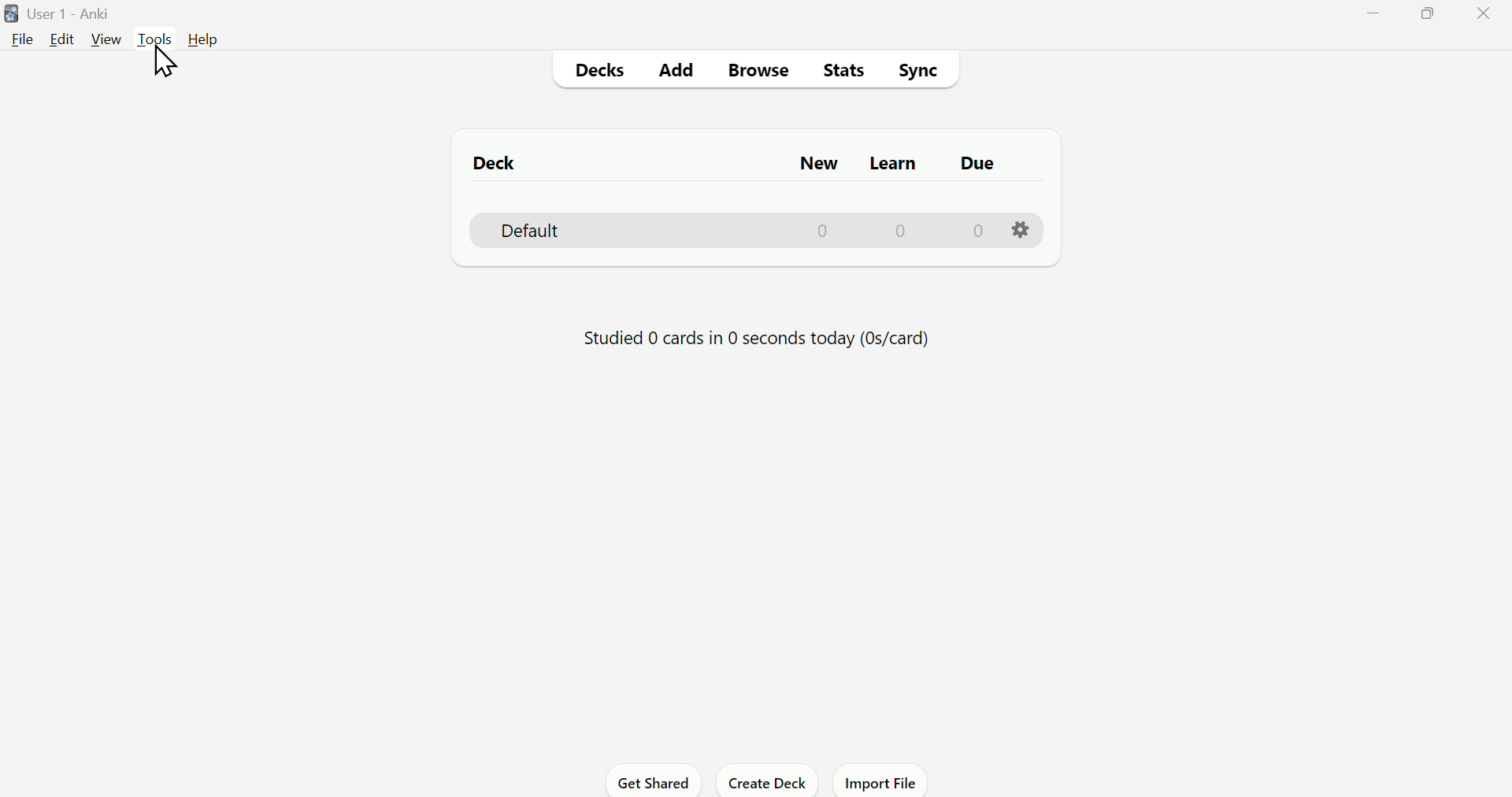 The image size is (1512, 797). I want to click on Maximize, so click(1434, 19).